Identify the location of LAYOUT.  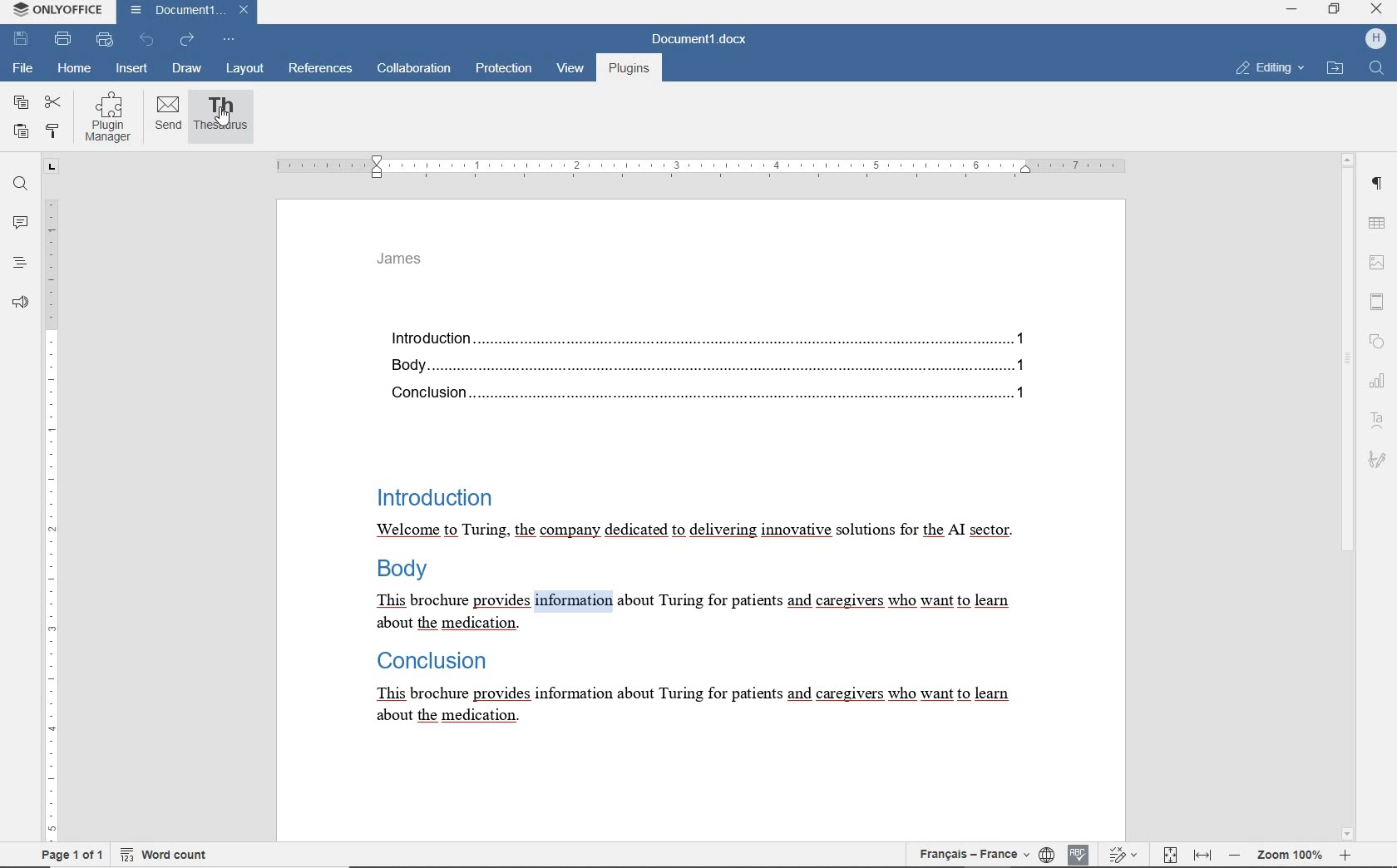
(243, 70).